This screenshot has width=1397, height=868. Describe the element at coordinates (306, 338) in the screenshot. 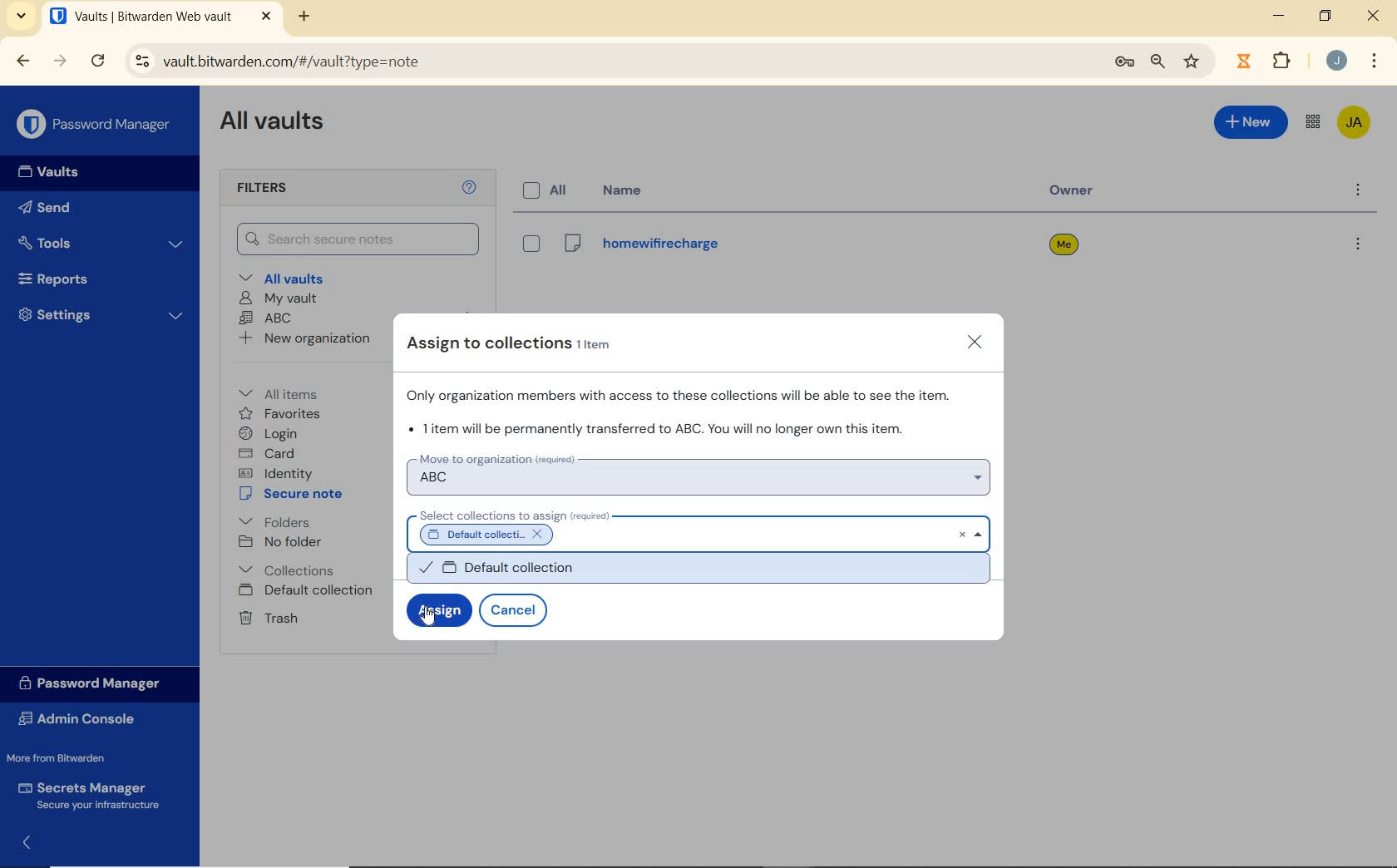

I see `New organization` at that location.